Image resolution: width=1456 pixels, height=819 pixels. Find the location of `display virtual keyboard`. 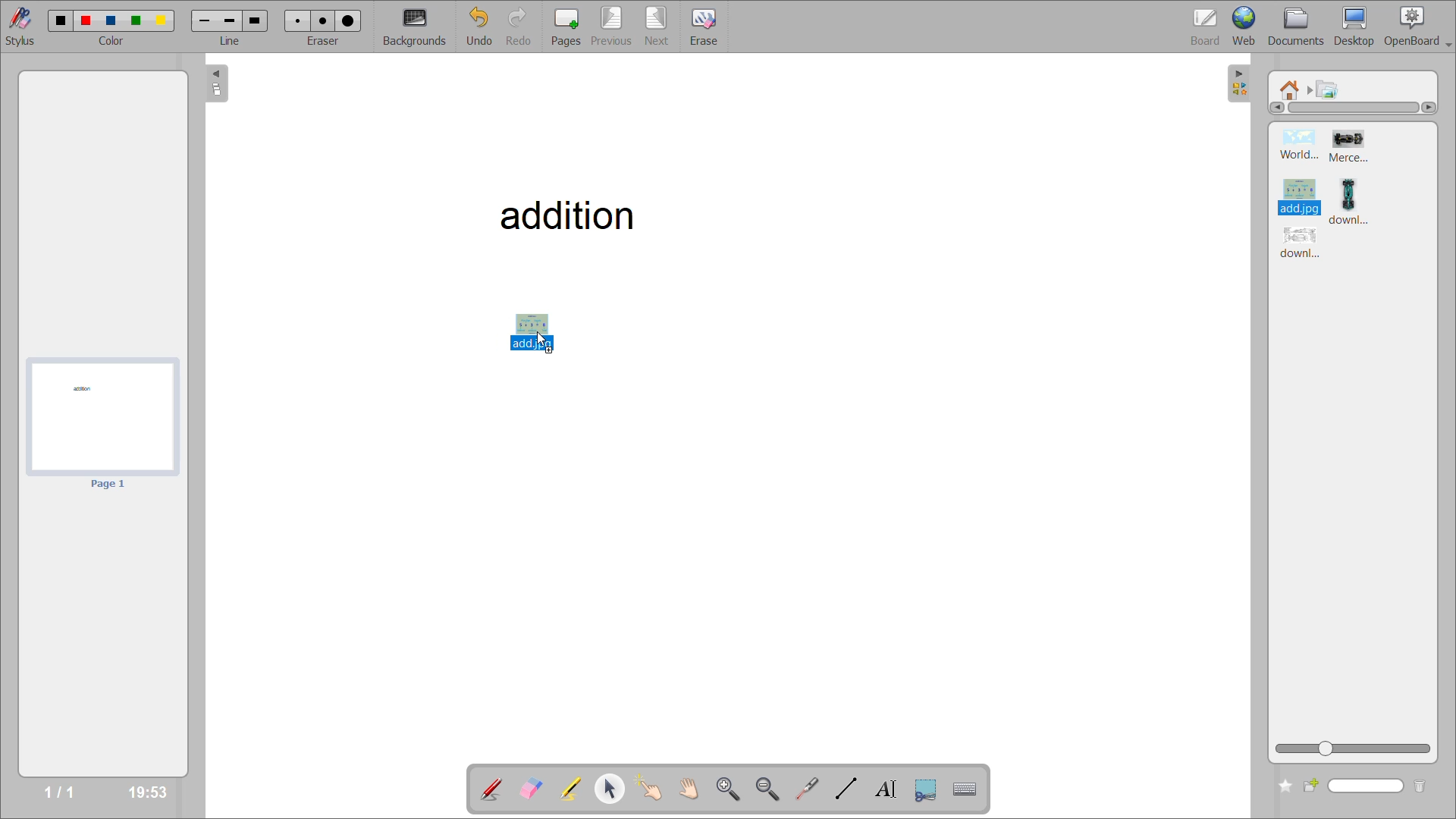

display virtual keyboard is located at coordinates (968, 788).